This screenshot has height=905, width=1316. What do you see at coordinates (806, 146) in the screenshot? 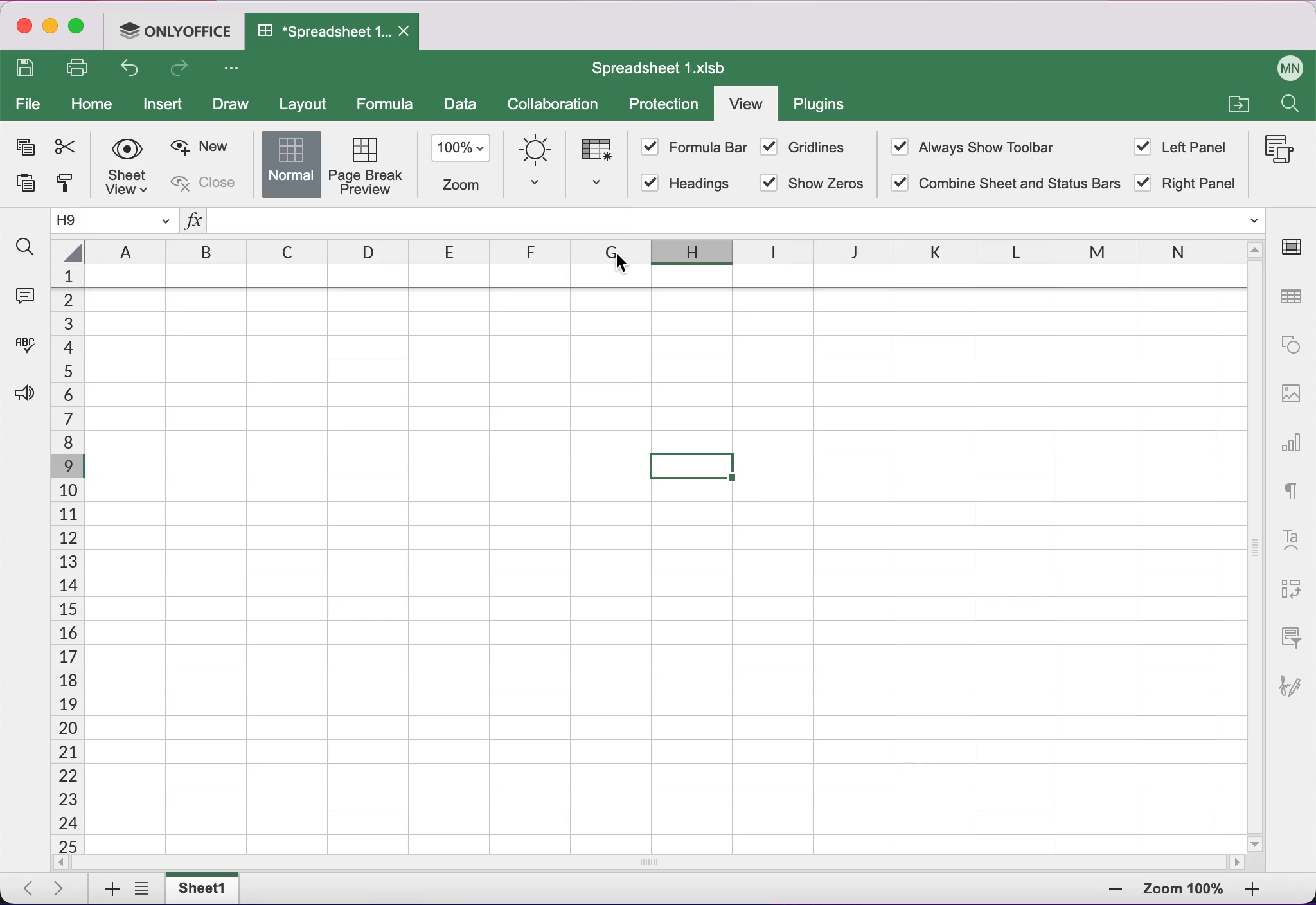
I see `gridlines` at bounding box center [806, 146].